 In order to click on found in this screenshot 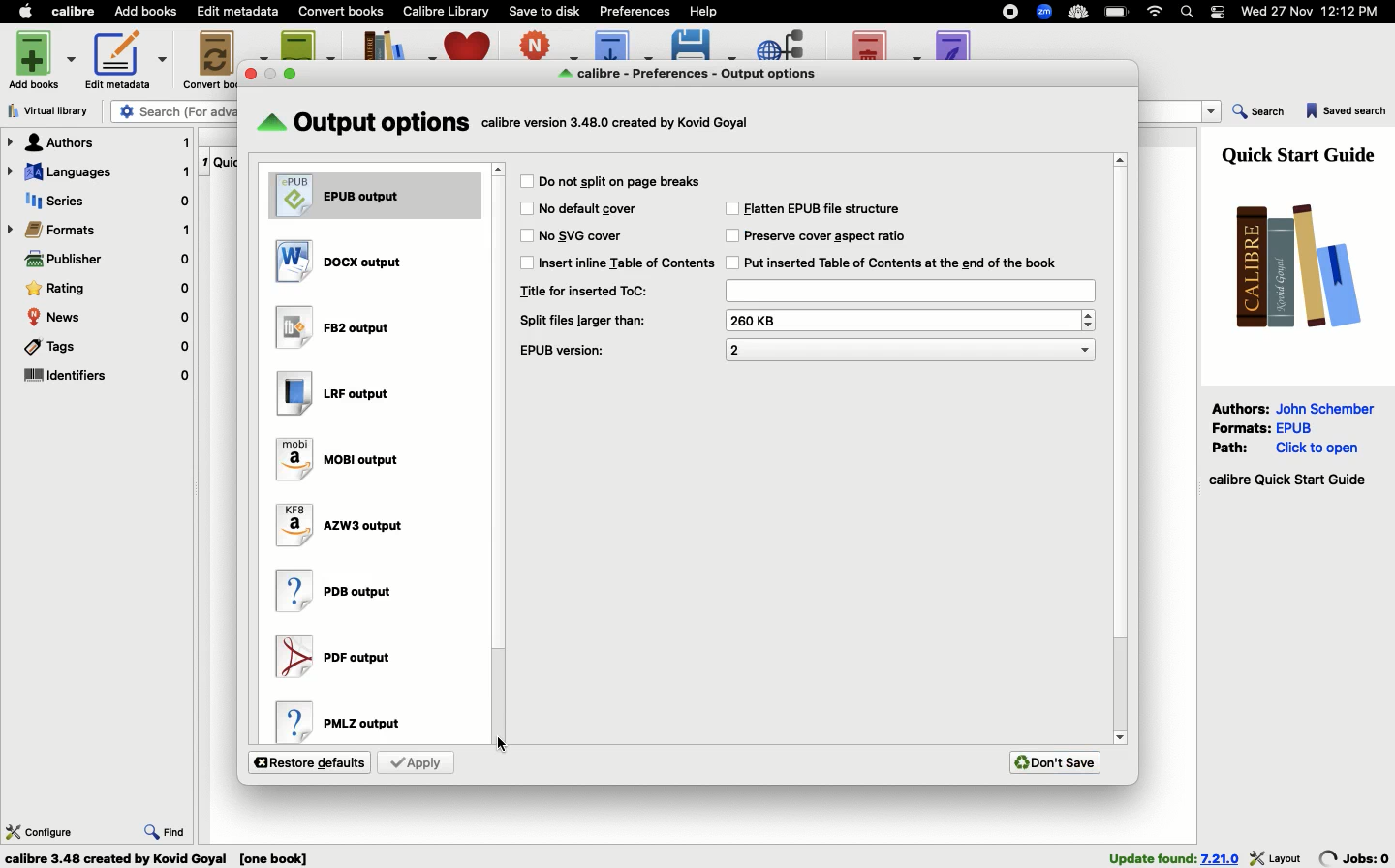, I will do `click(1152, 857)`.